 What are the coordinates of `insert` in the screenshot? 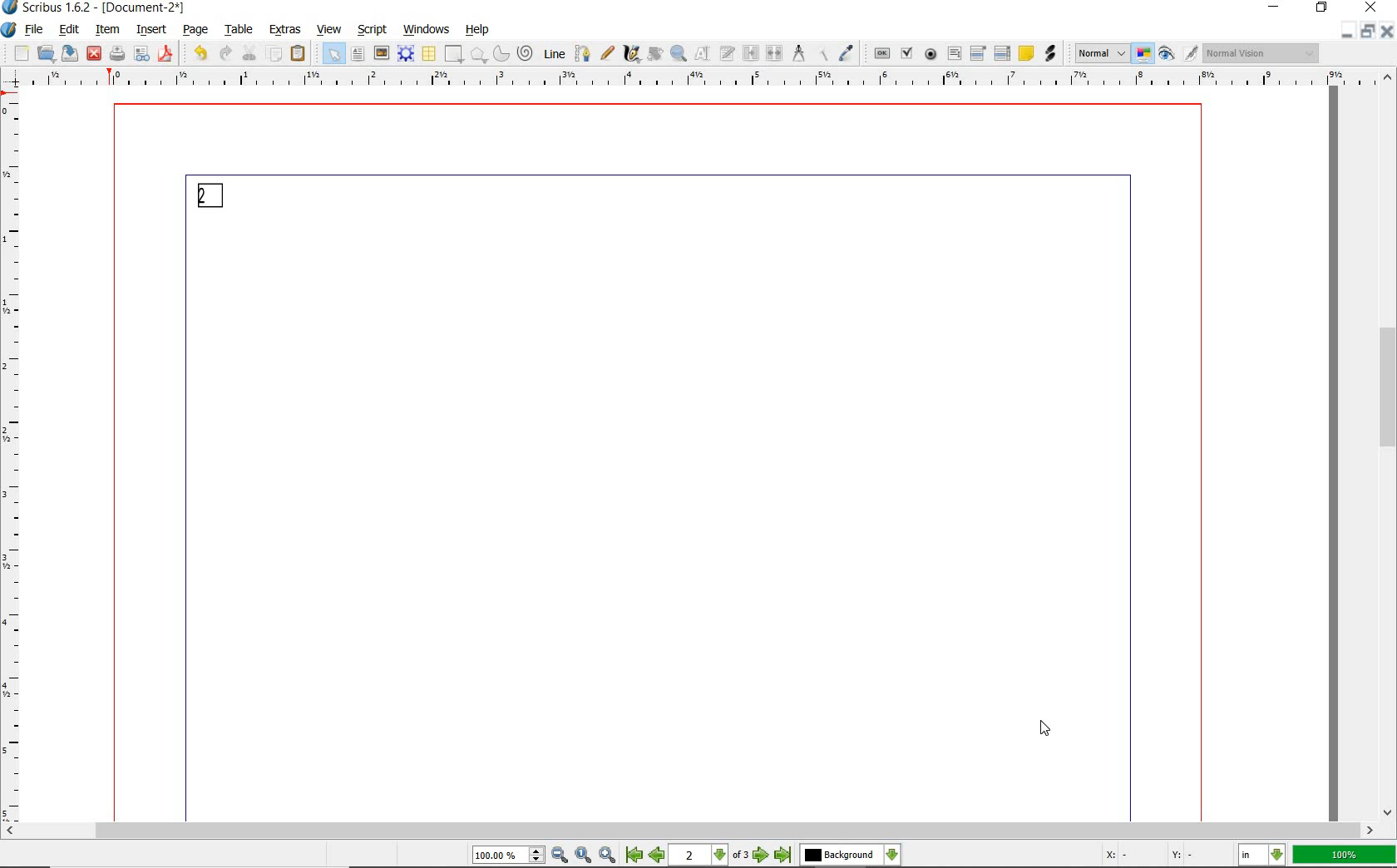 It's located at (151, 30).